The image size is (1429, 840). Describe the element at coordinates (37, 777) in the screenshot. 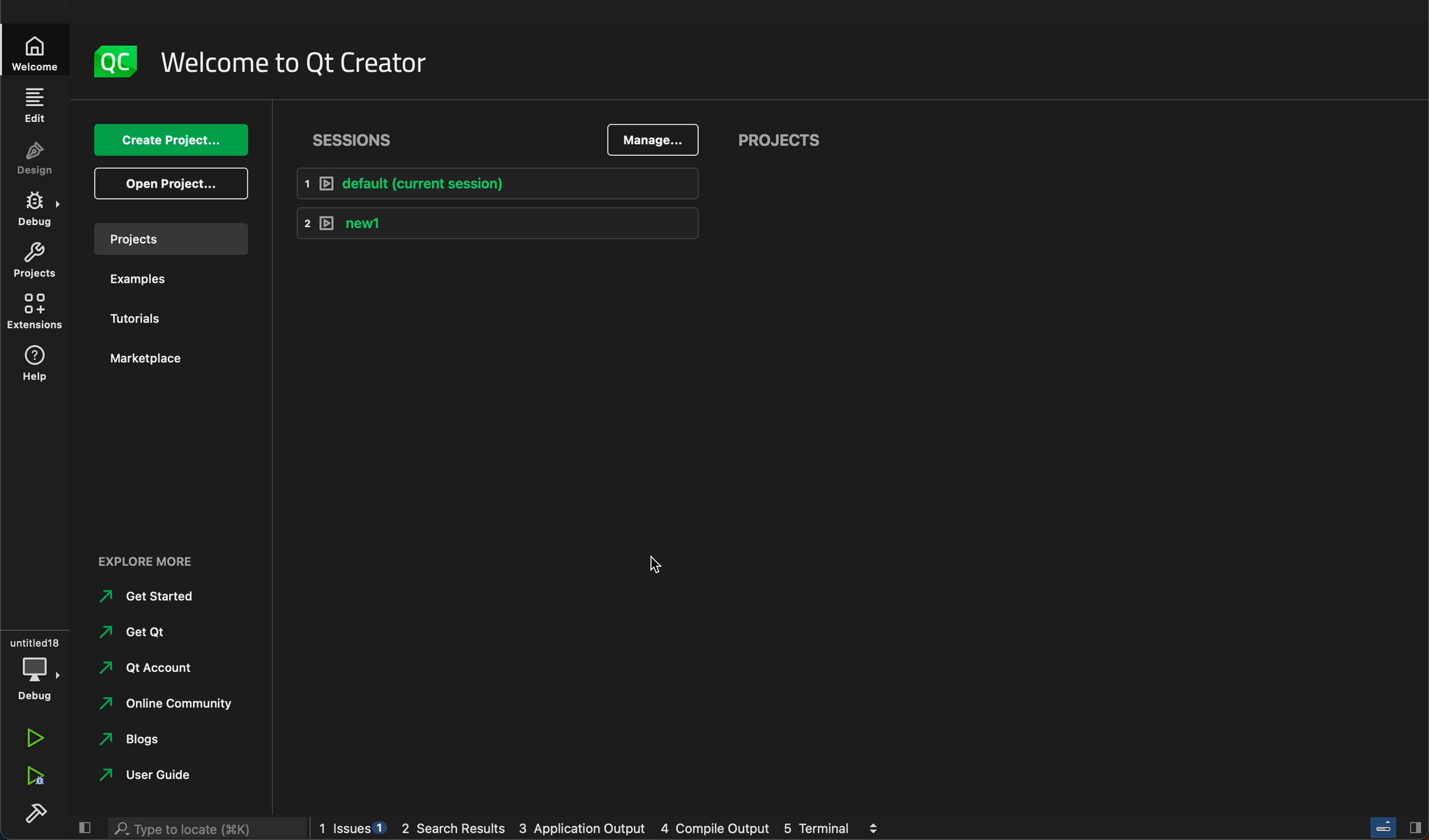

I see `run debug` at that location.